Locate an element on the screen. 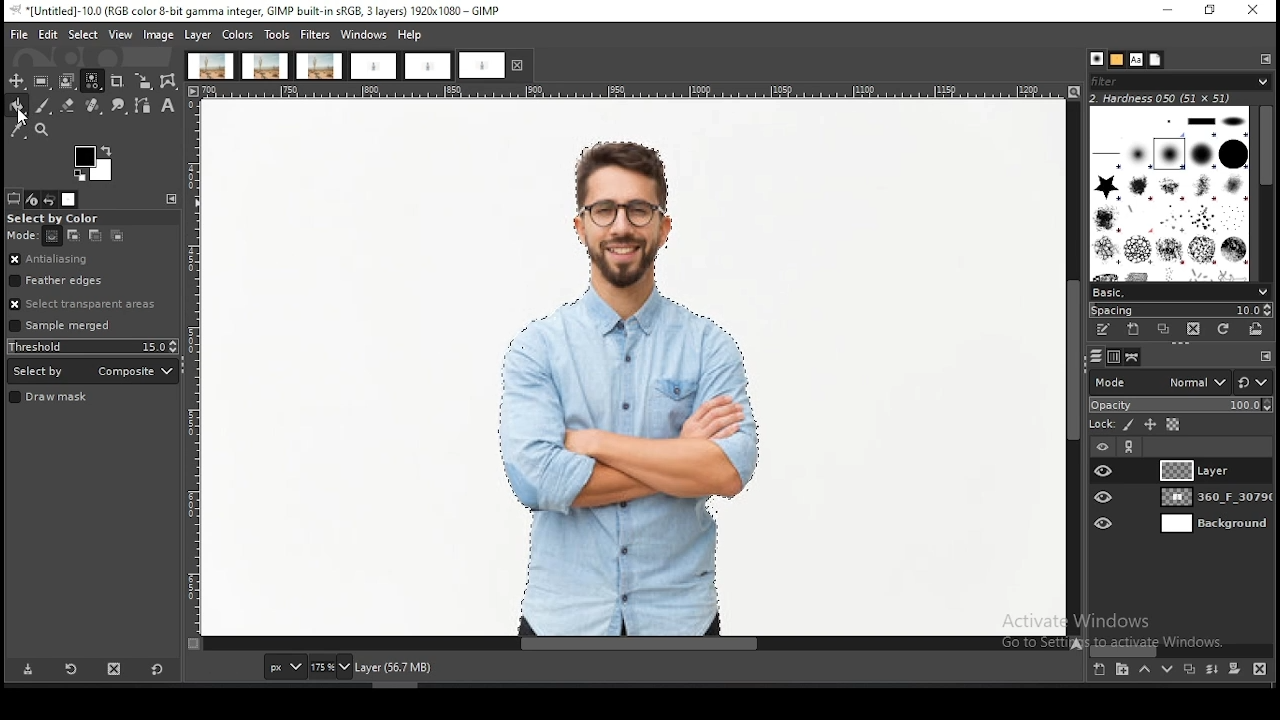  duplicate brush is located at coordinates (1165, 331).